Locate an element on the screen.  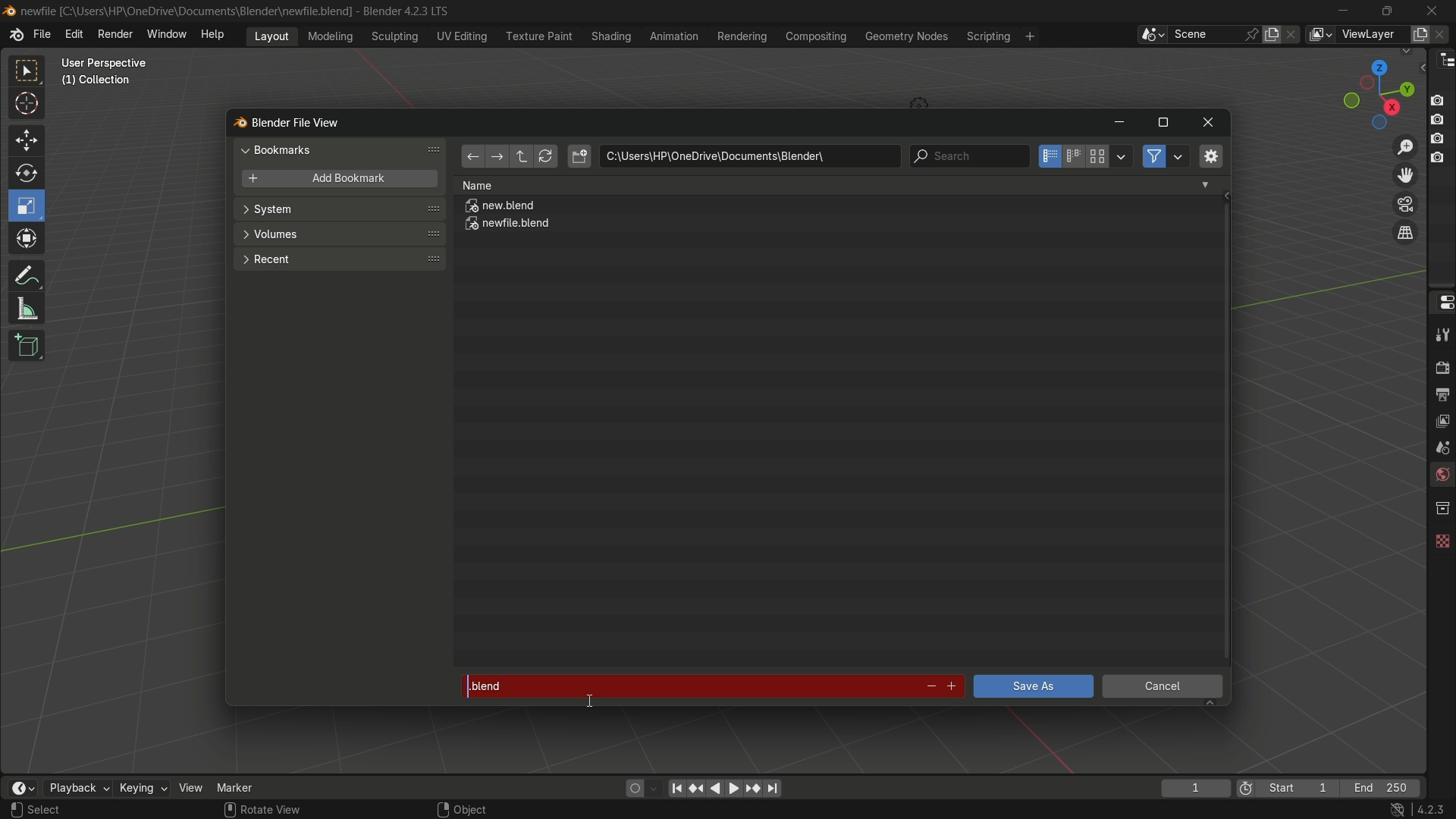
layout menu is located at coordinates (271, 35).